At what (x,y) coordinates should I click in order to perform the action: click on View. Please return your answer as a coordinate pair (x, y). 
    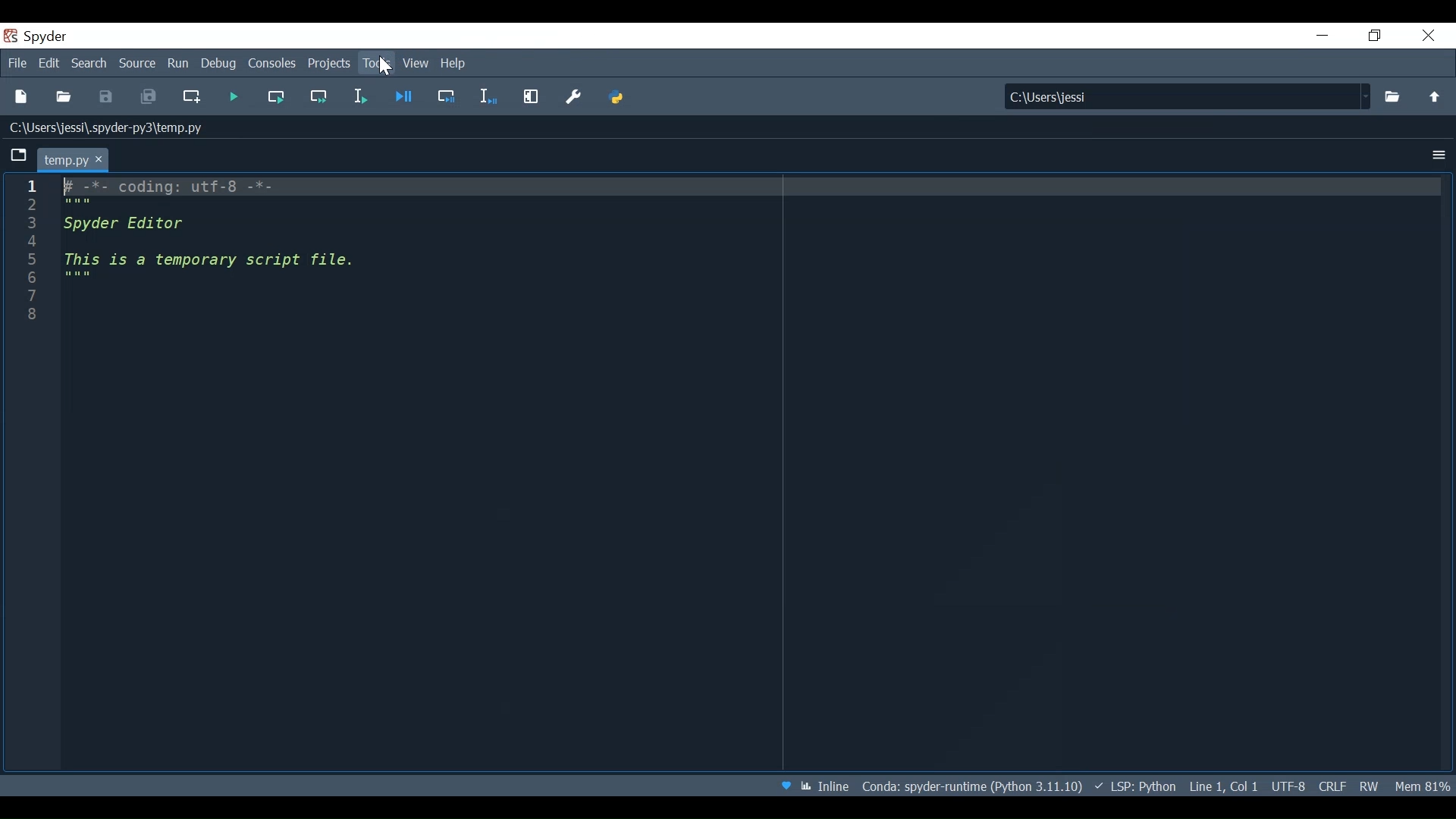
    Looking at the image, I should click on (417, 63).